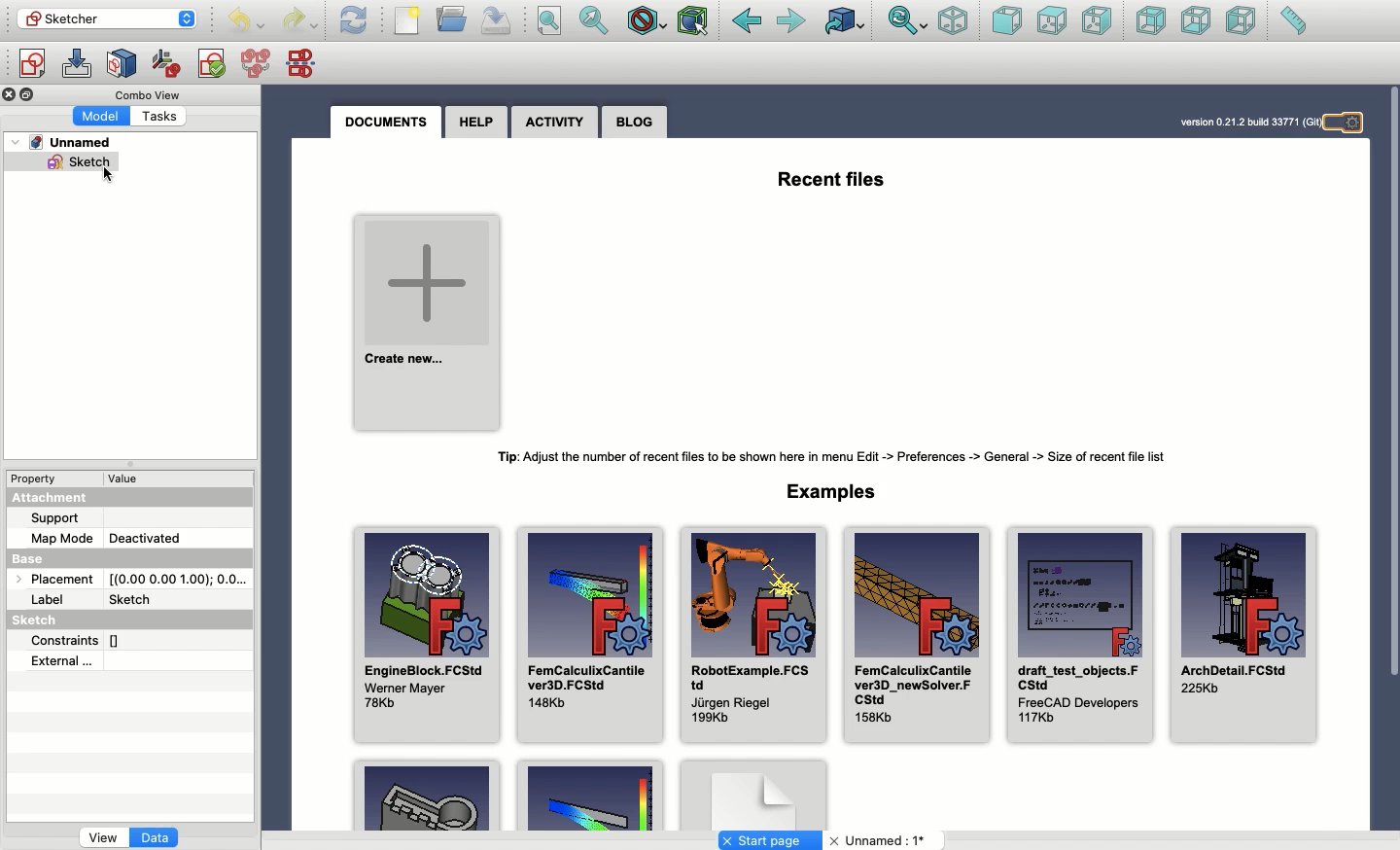 This screenshot has width=1400, height=850. What do you see at coordinates (77, 64) in the screenshot?
I see `Edit sketch` at bounding box center [77, 64].